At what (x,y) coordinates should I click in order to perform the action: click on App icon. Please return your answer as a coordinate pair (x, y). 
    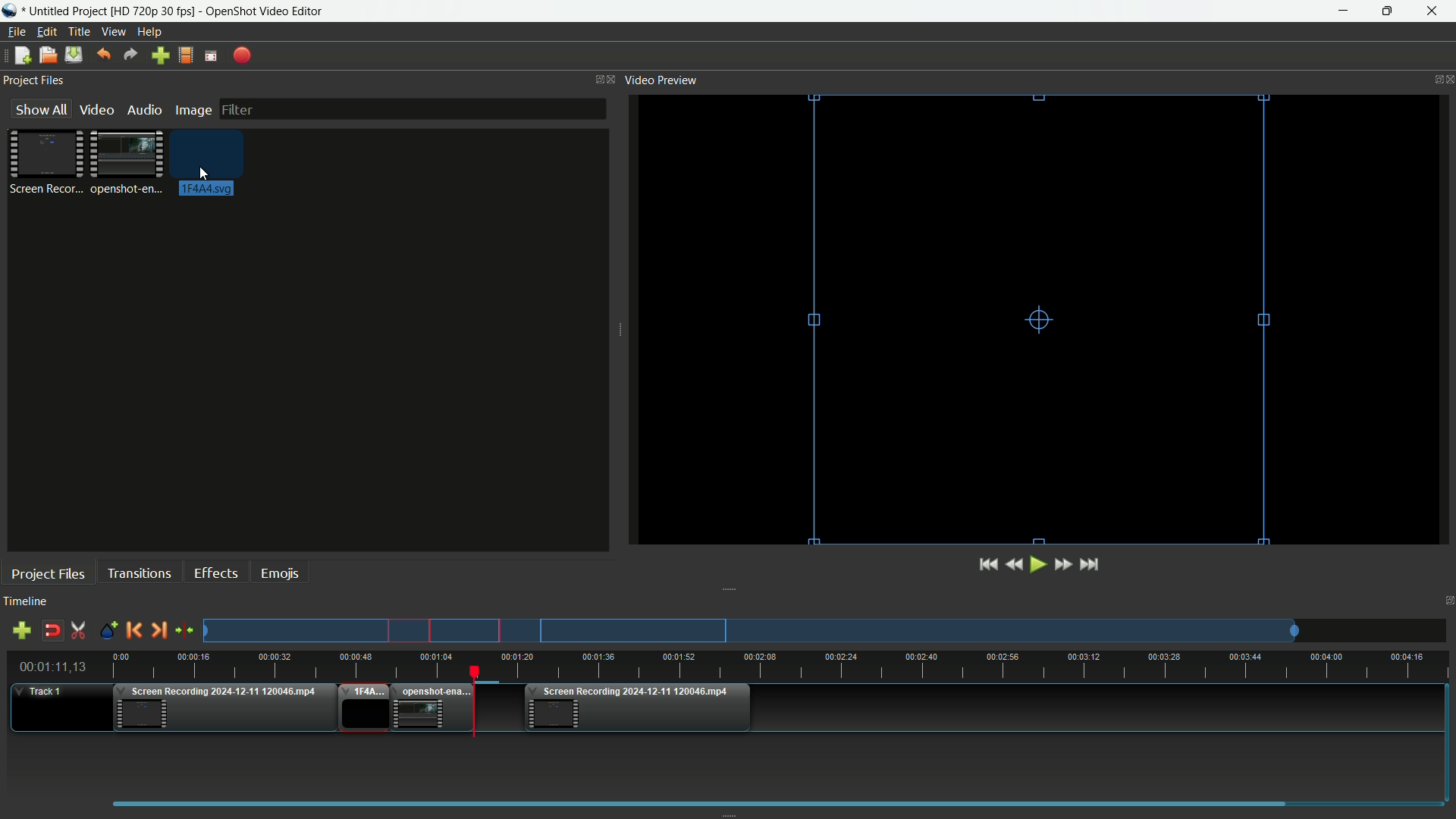
    Looking at the image, I should click on (12, 11).